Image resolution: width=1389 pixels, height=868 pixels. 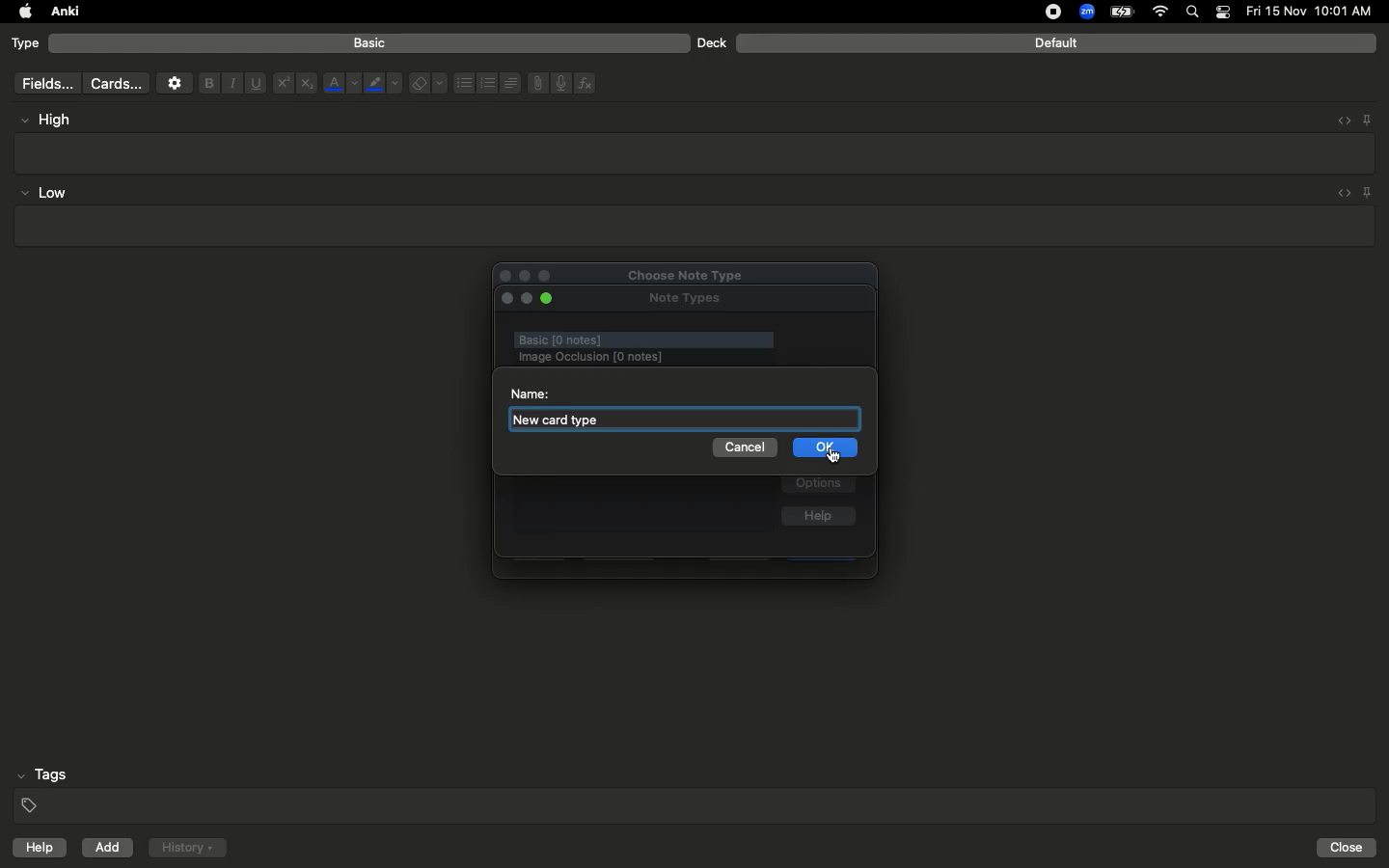 I want to click on Embed, so click(x=1338, y=121).